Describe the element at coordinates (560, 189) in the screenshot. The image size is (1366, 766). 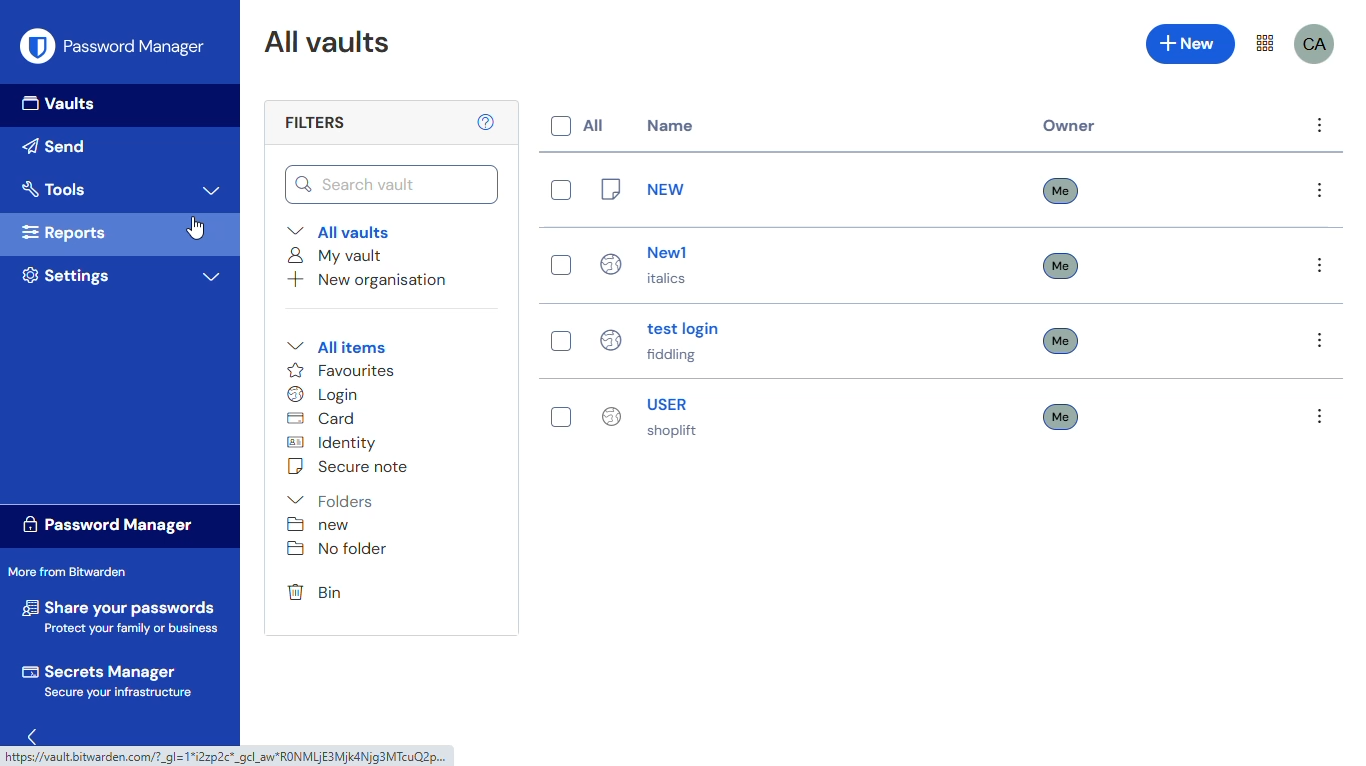
I see `checkbox` at that location.